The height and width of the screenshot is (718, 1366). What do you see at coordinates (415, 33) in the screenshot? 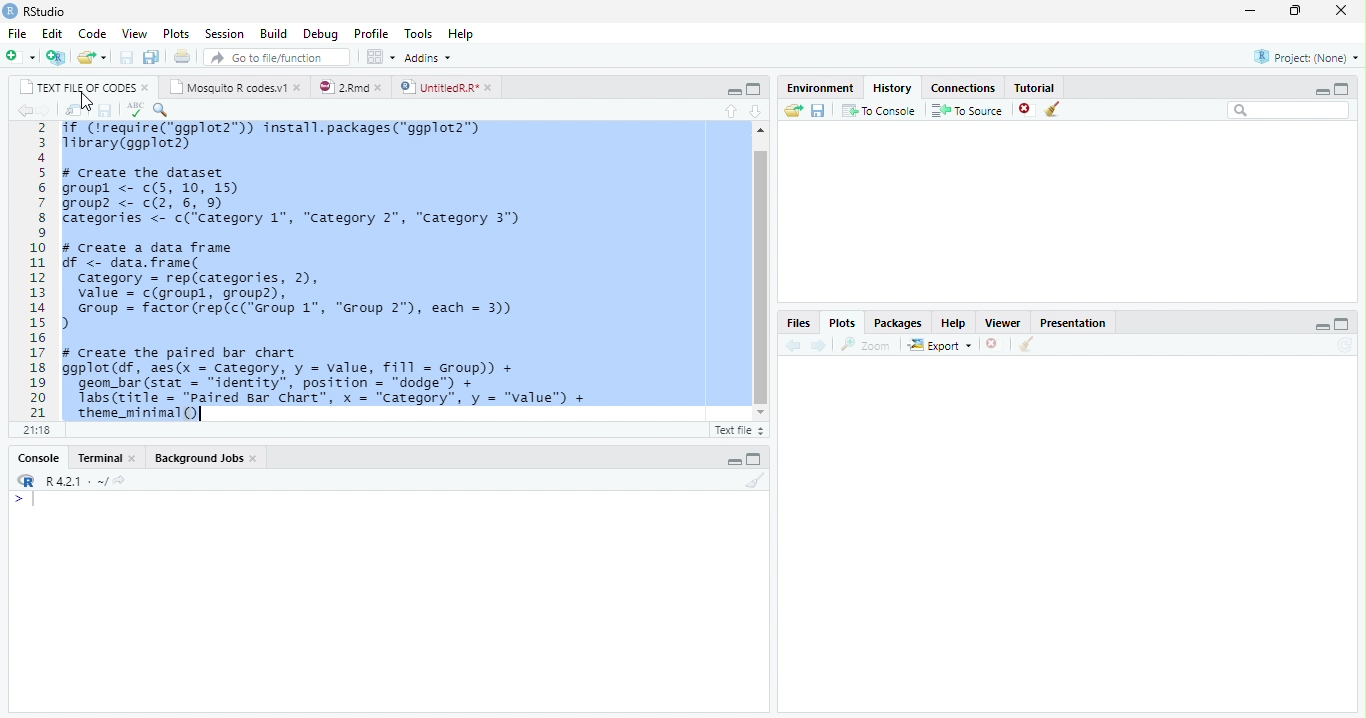
I see `tools` at bounding box center [415, 33].